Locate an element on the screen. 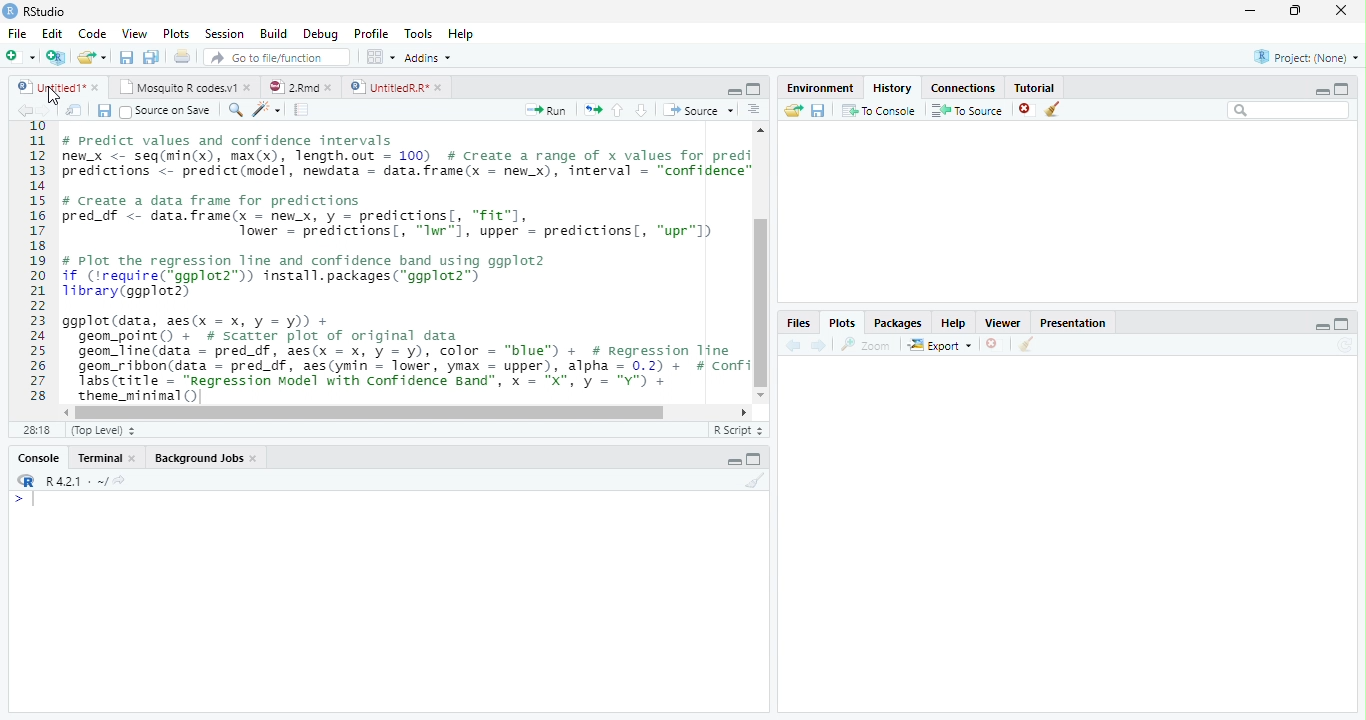 Image resolution: width=1366 pixels, height=720 pixels. Close  is located at coordinates (1342, 12).